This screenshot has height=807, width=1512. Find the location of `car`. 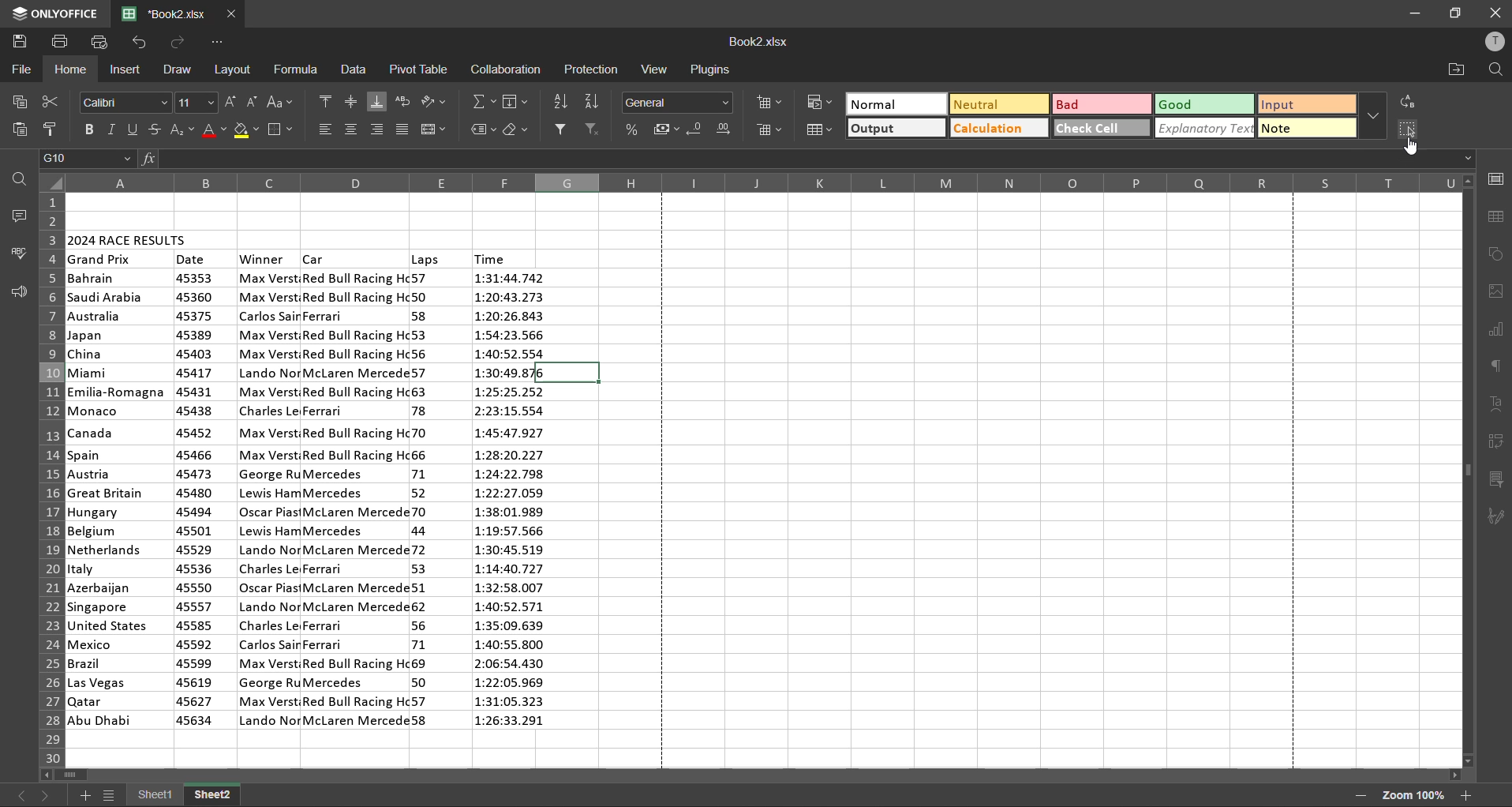

car is located at coordinates (357, 501).